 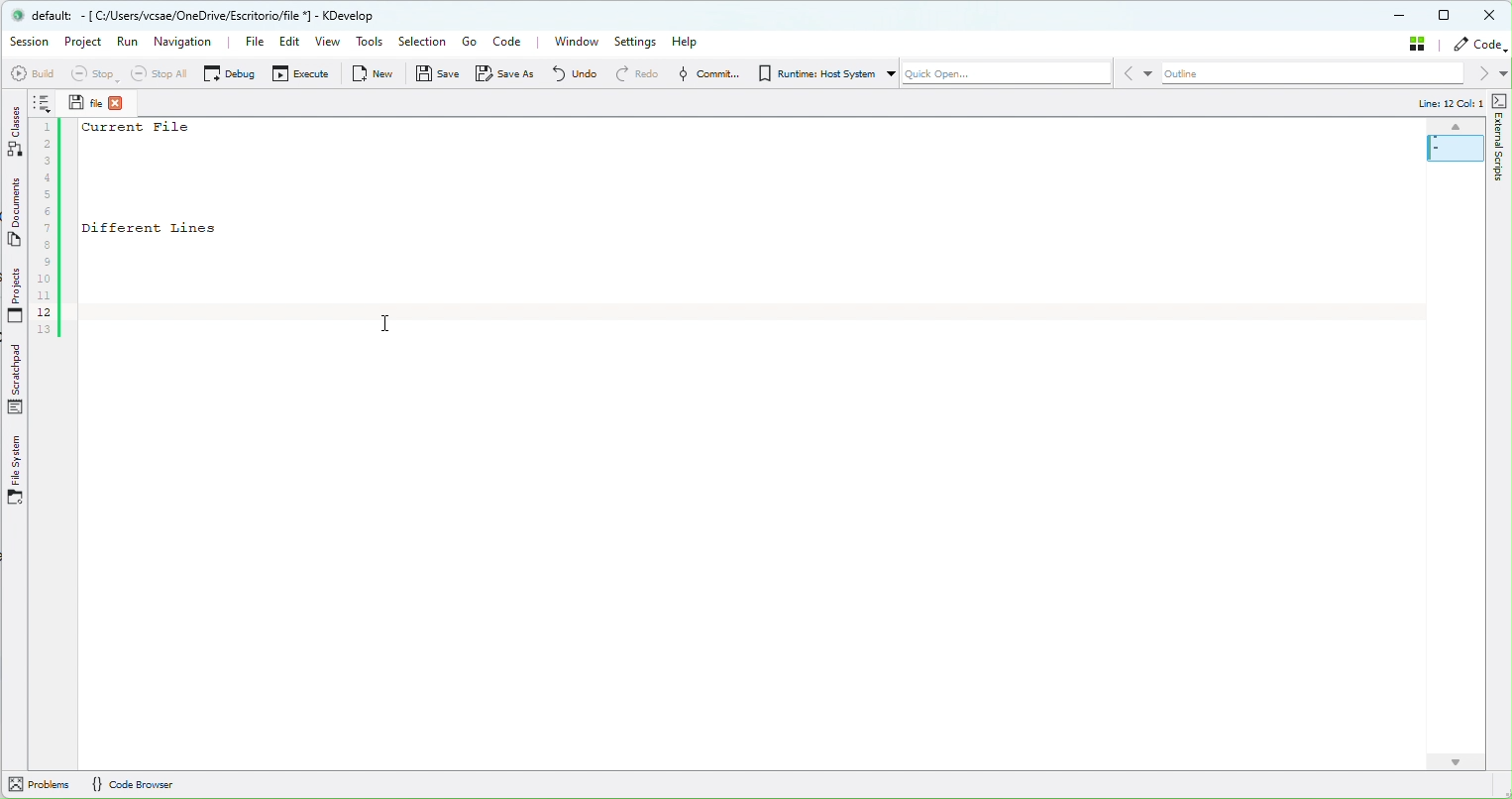 What do you see at coordinates (252, 42) in the screenshot?
I see `File` at bounding box center [252, 42].